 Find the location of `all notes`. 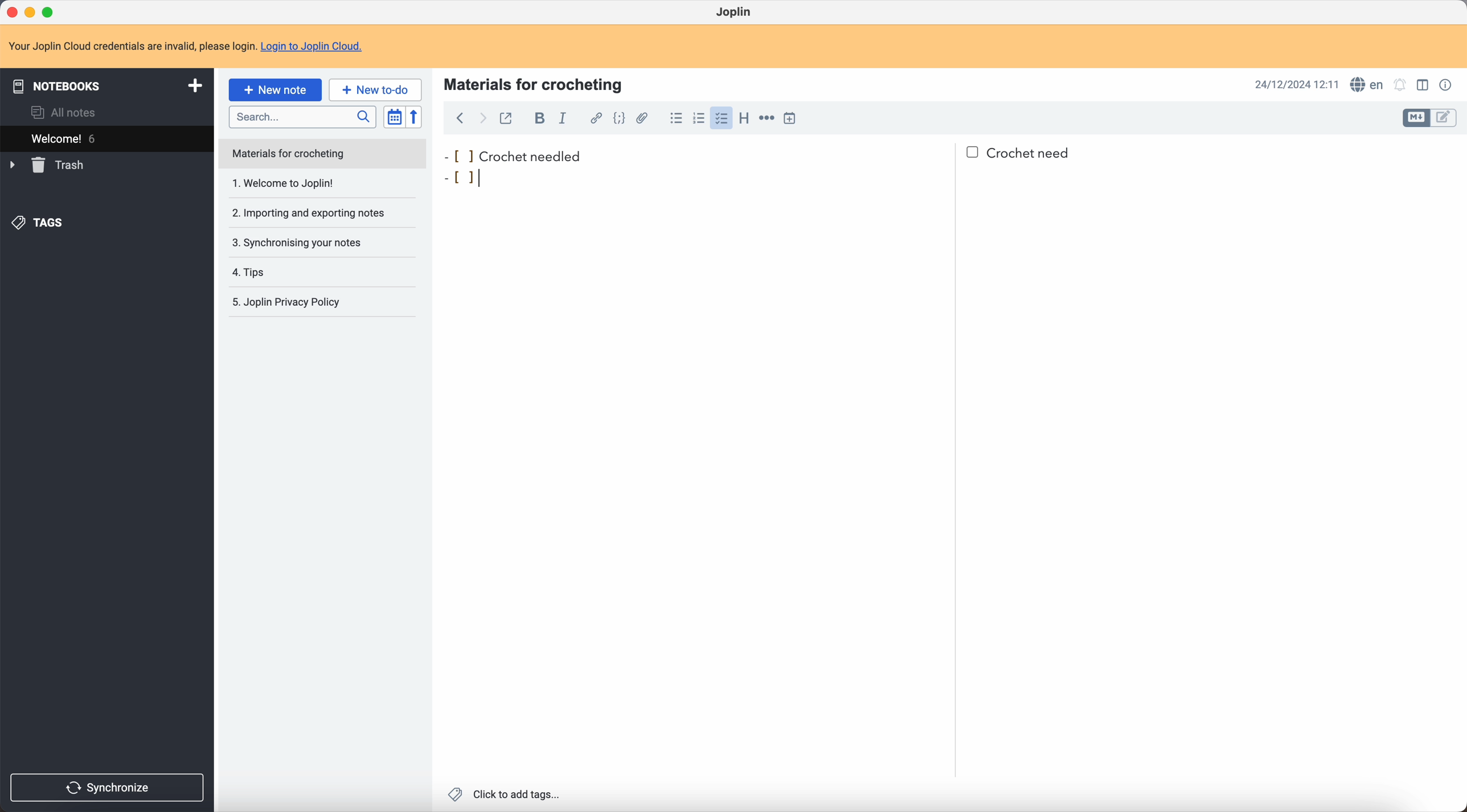

all notes is located at coordinates (67, 112).